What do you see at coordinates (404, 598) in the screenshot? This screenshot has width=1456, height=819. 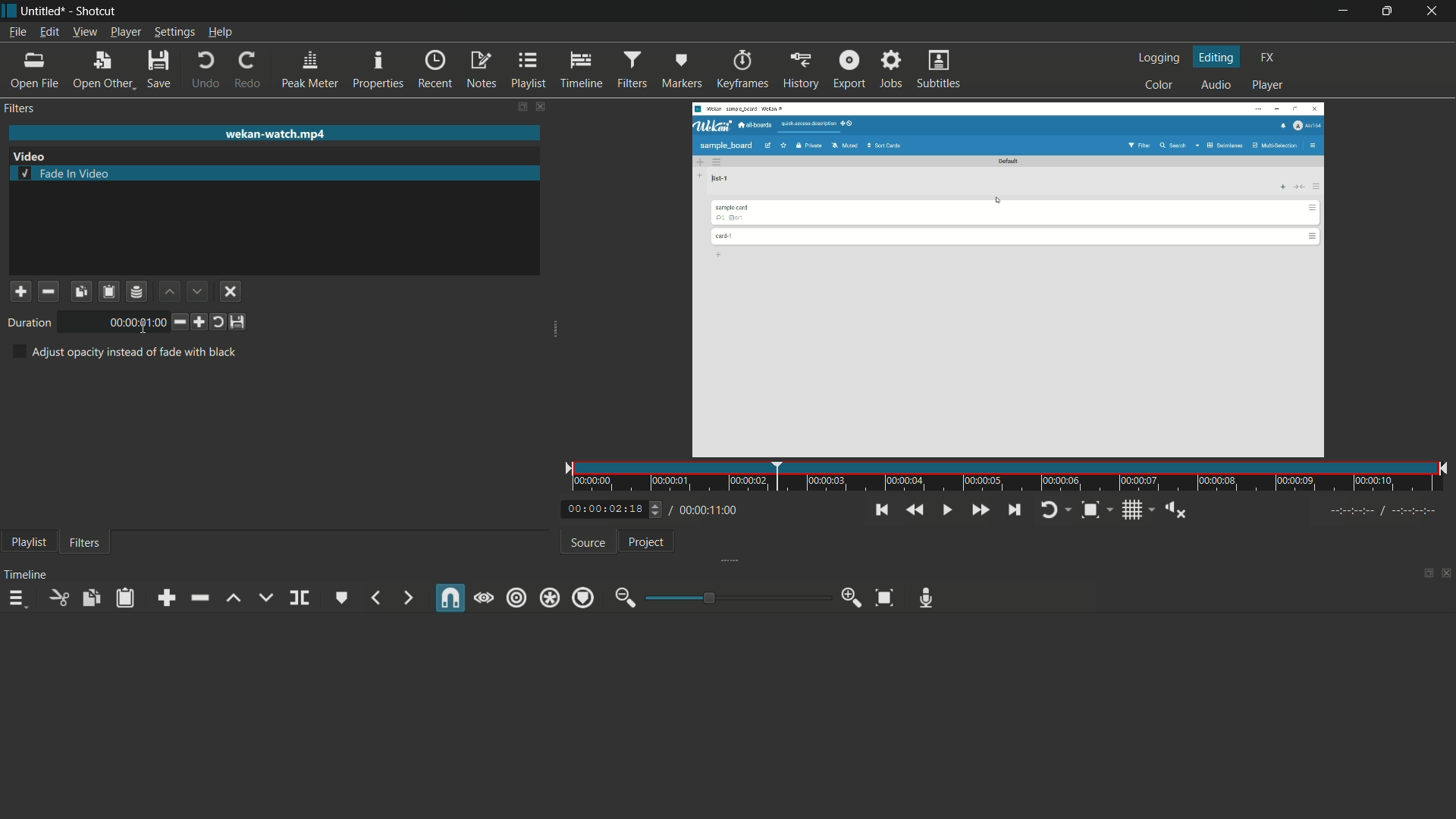 I see `next marker` at bounding box center [404, 598].